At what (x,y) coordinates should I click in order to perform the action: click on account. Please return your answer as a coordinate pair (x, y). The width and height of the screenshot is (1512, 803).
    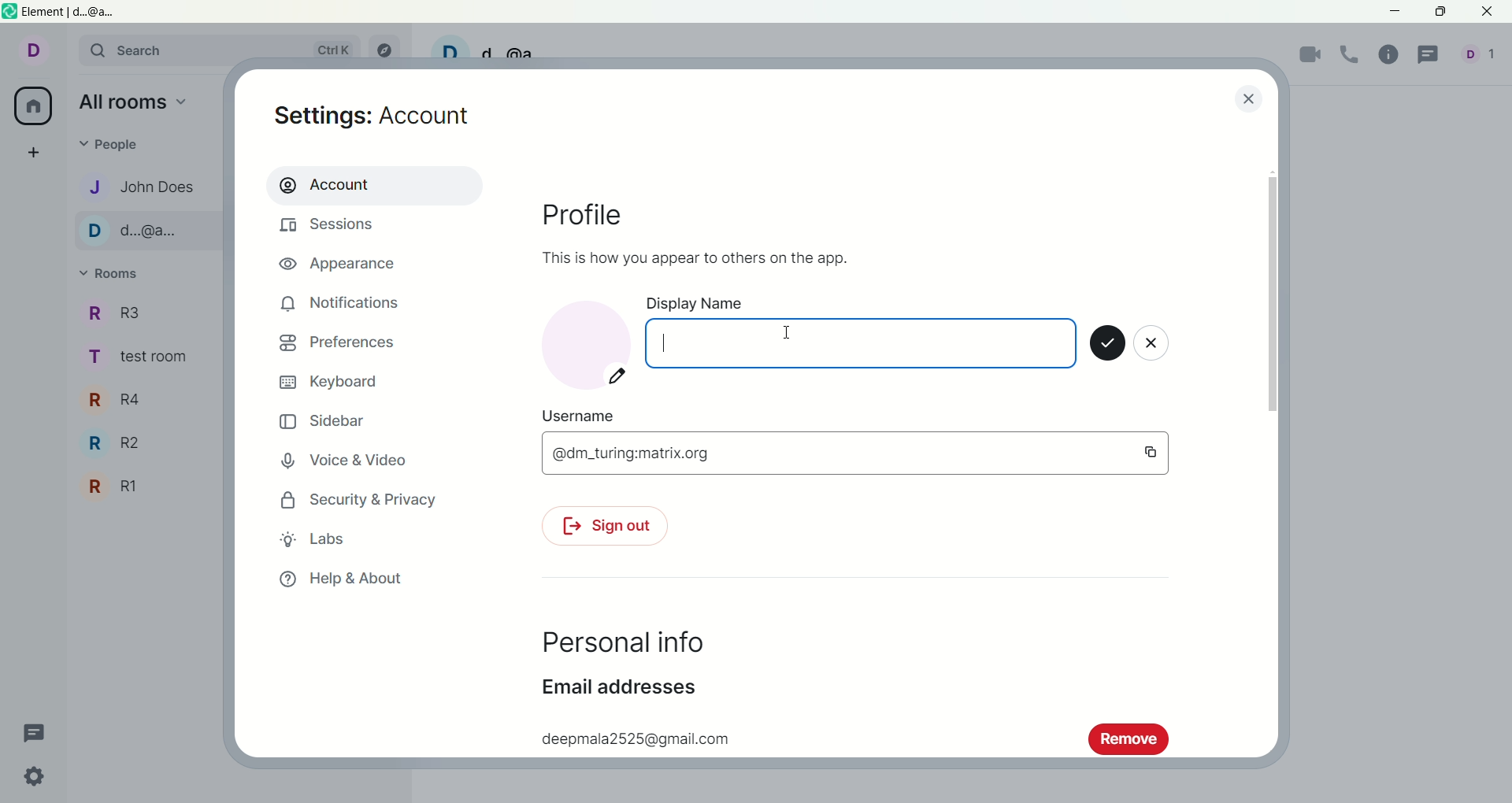
    Looking at the image, I should click on (585, 342).